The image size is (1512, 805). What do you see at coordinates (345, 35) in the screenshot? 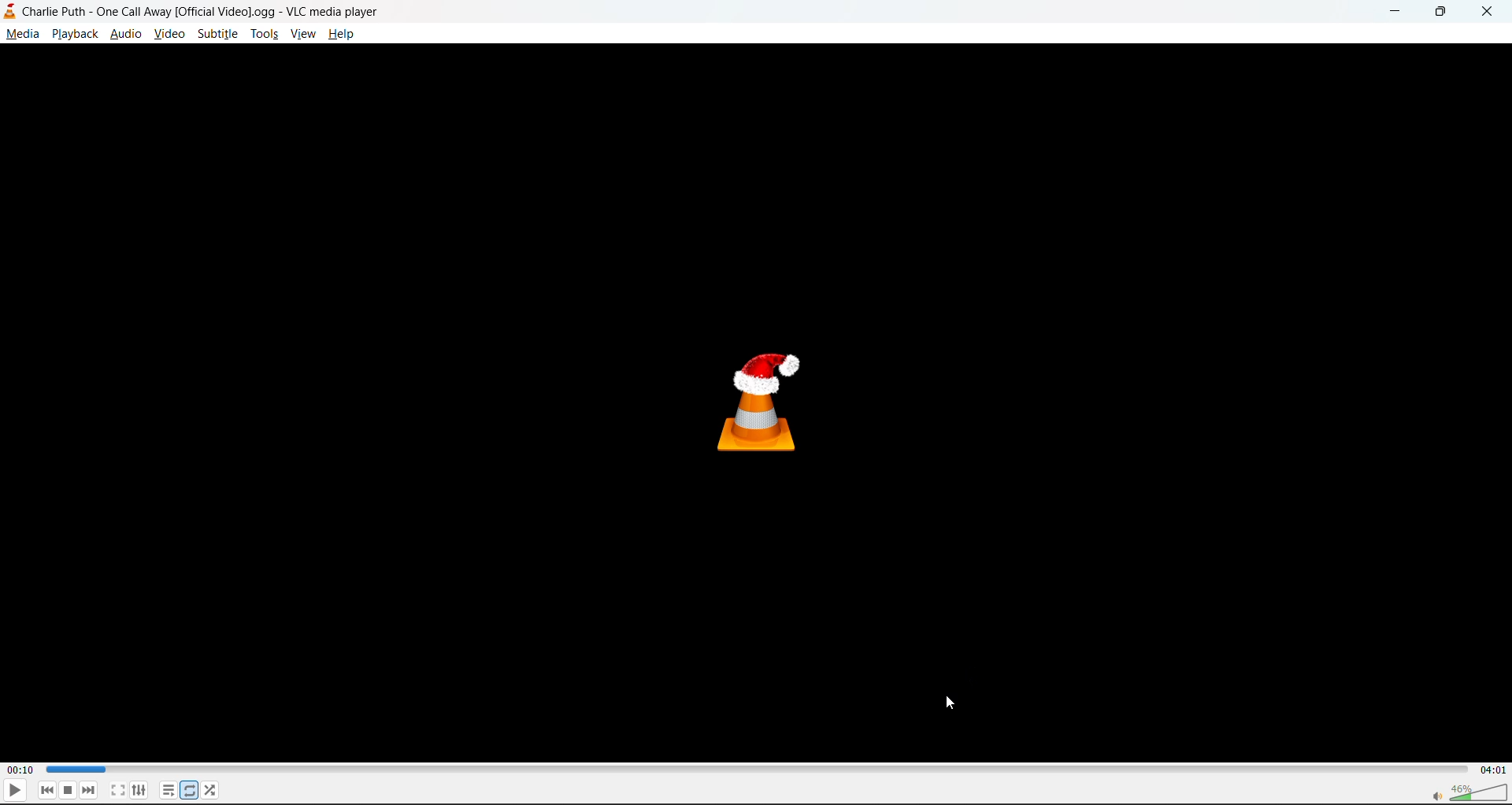
I see `help` at bounding box center [345, 35].